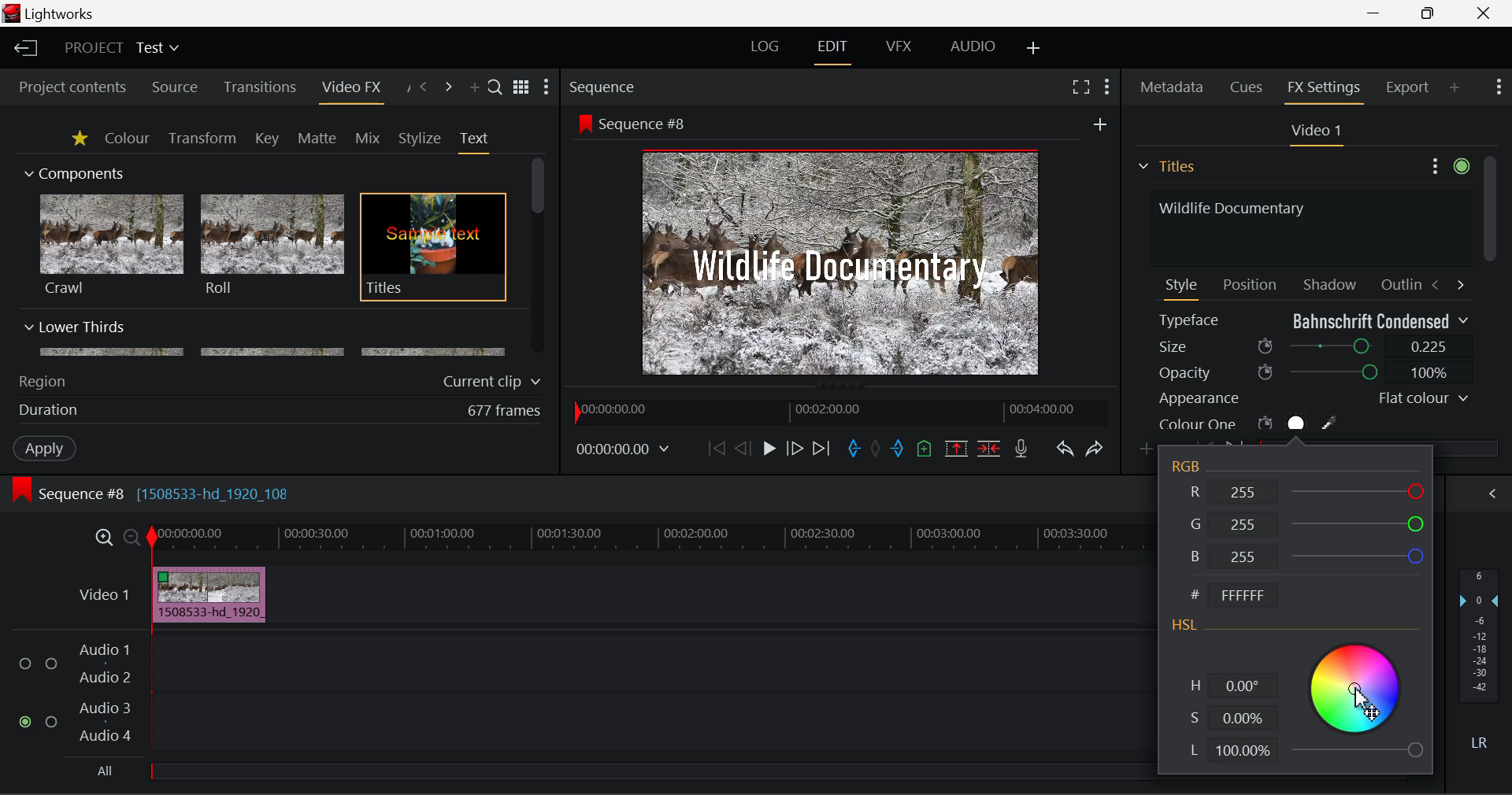  I want to click on add, so click(1100, 124).